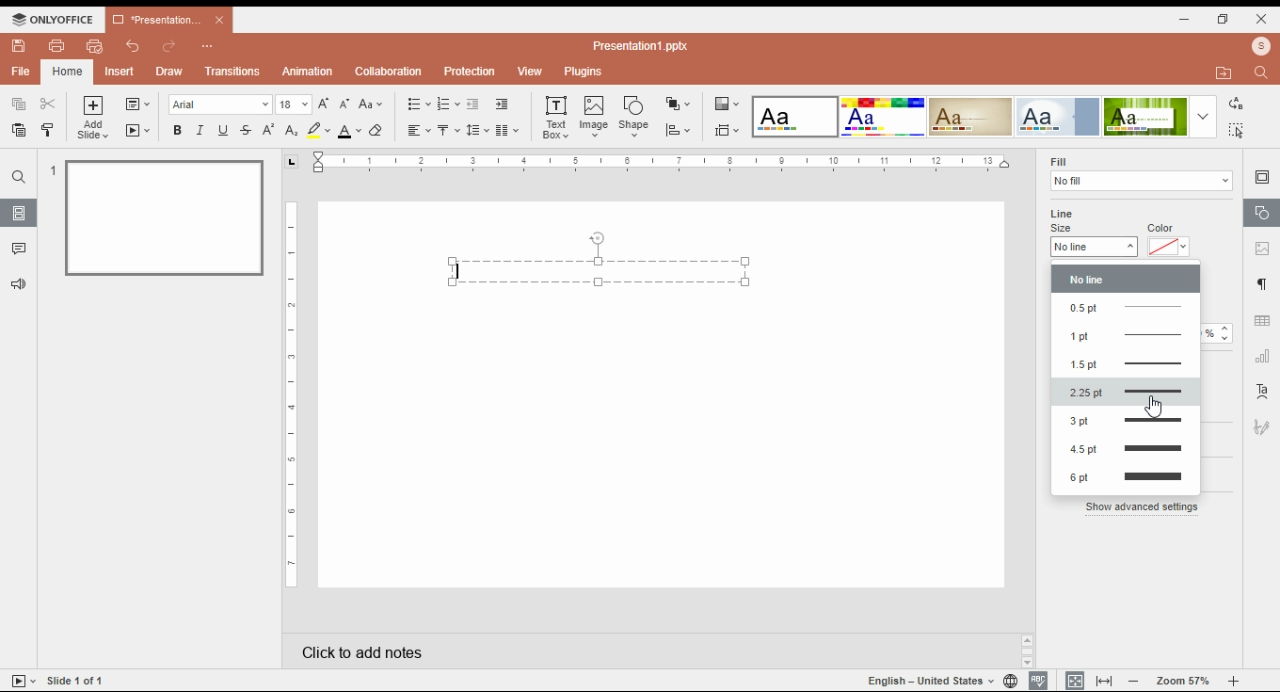  I want to click on 1.5 pt, so click(1124, 363).